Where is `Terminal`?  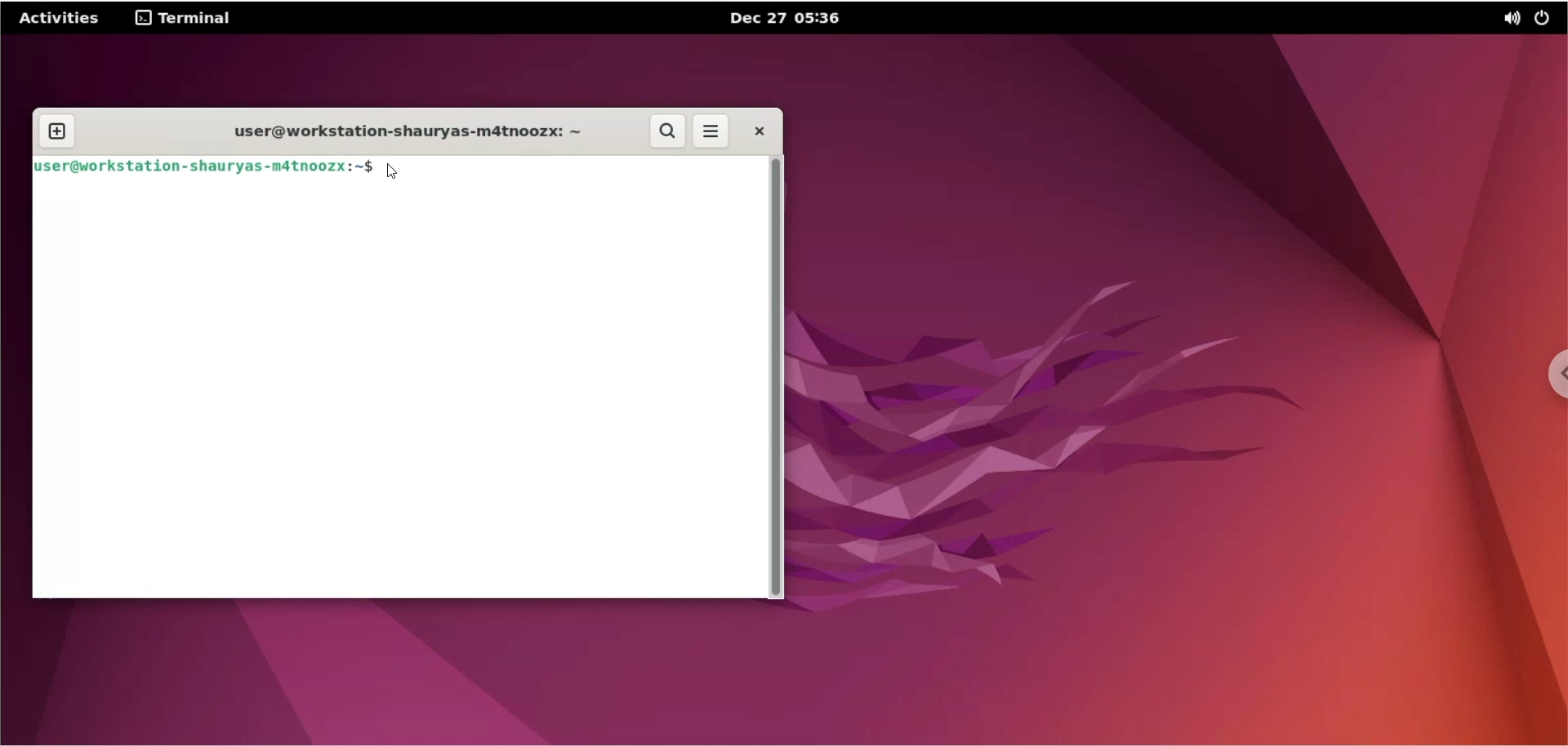 Terminal is located at coordinates (183, 18).